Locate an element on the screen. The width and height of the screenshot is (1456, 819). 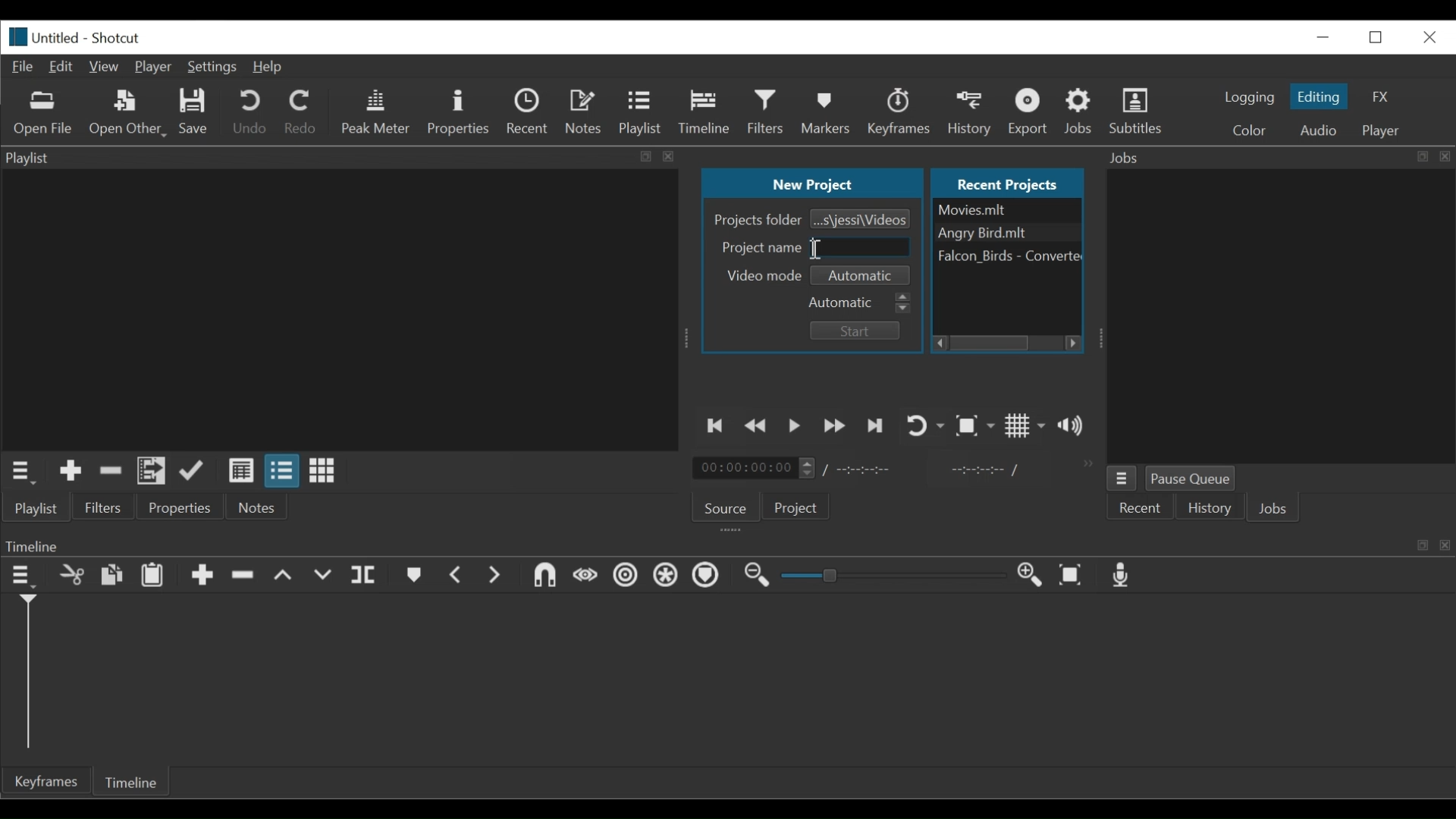
Lift is located at coordinates (288, 576).